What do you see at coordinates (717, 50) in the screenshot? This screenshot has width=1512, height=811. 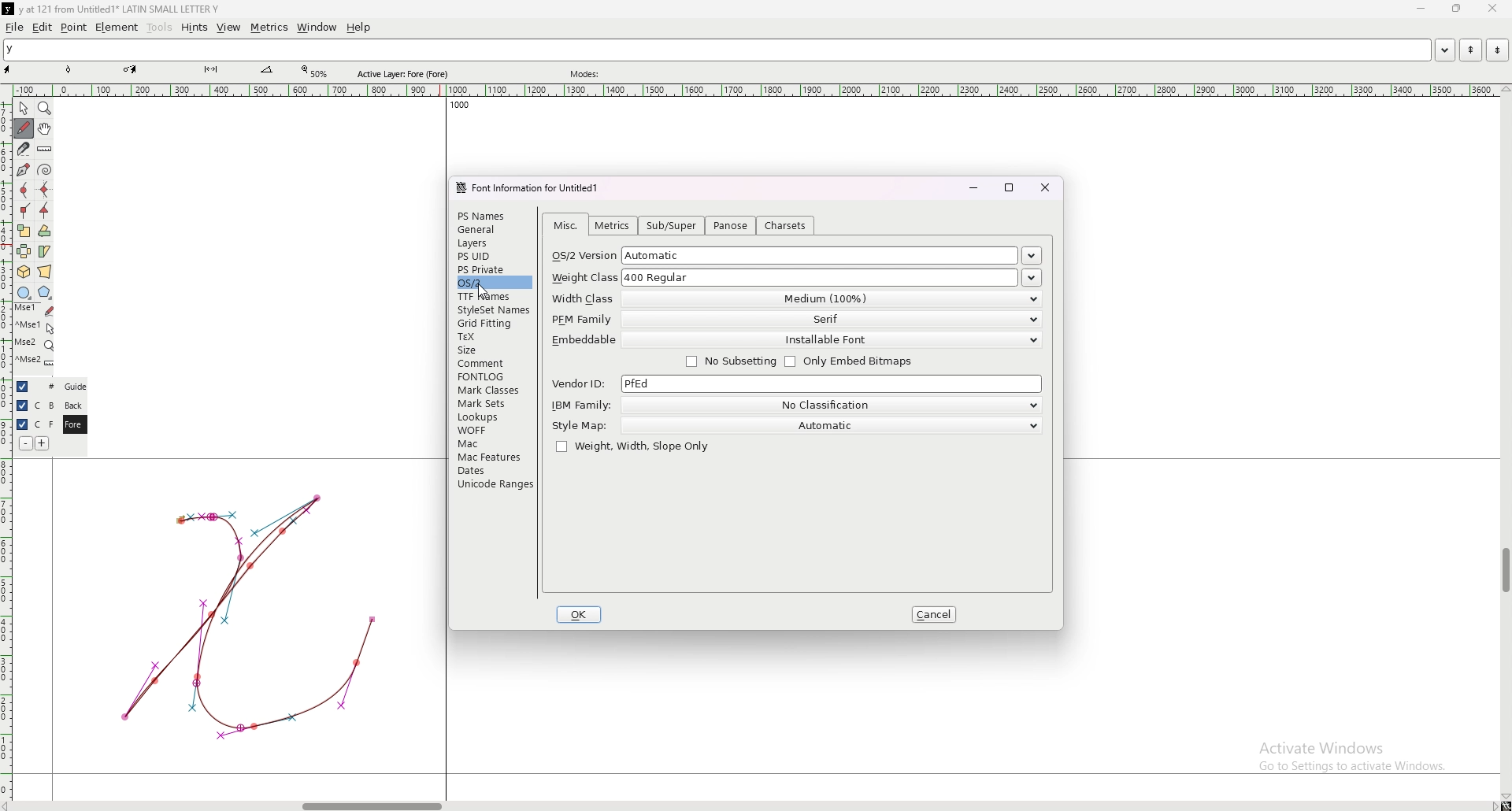 I see `y` at bounding box center [717, 50].